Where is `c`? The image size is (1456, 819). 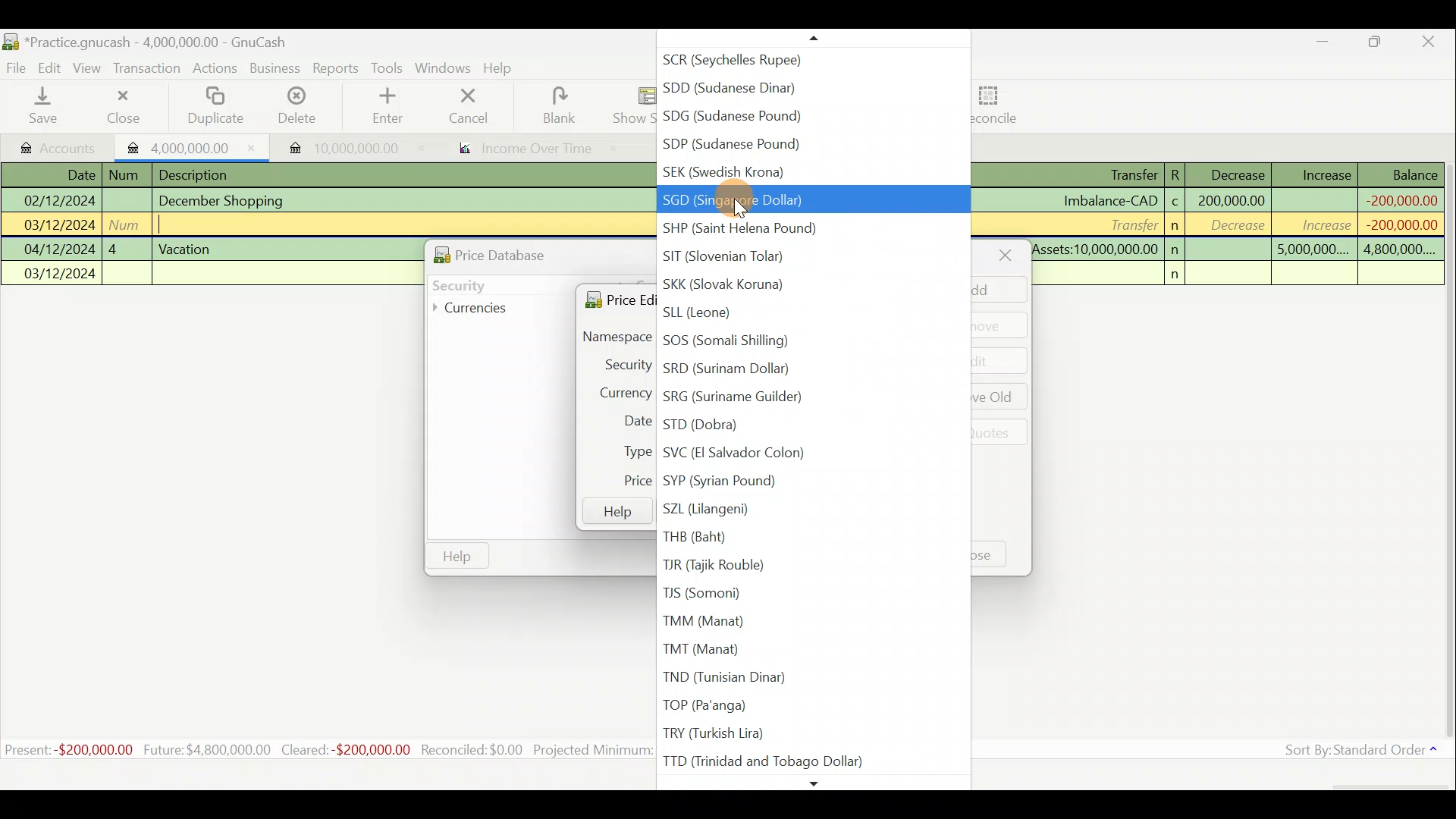 c is located at coordinates (1175, 203).